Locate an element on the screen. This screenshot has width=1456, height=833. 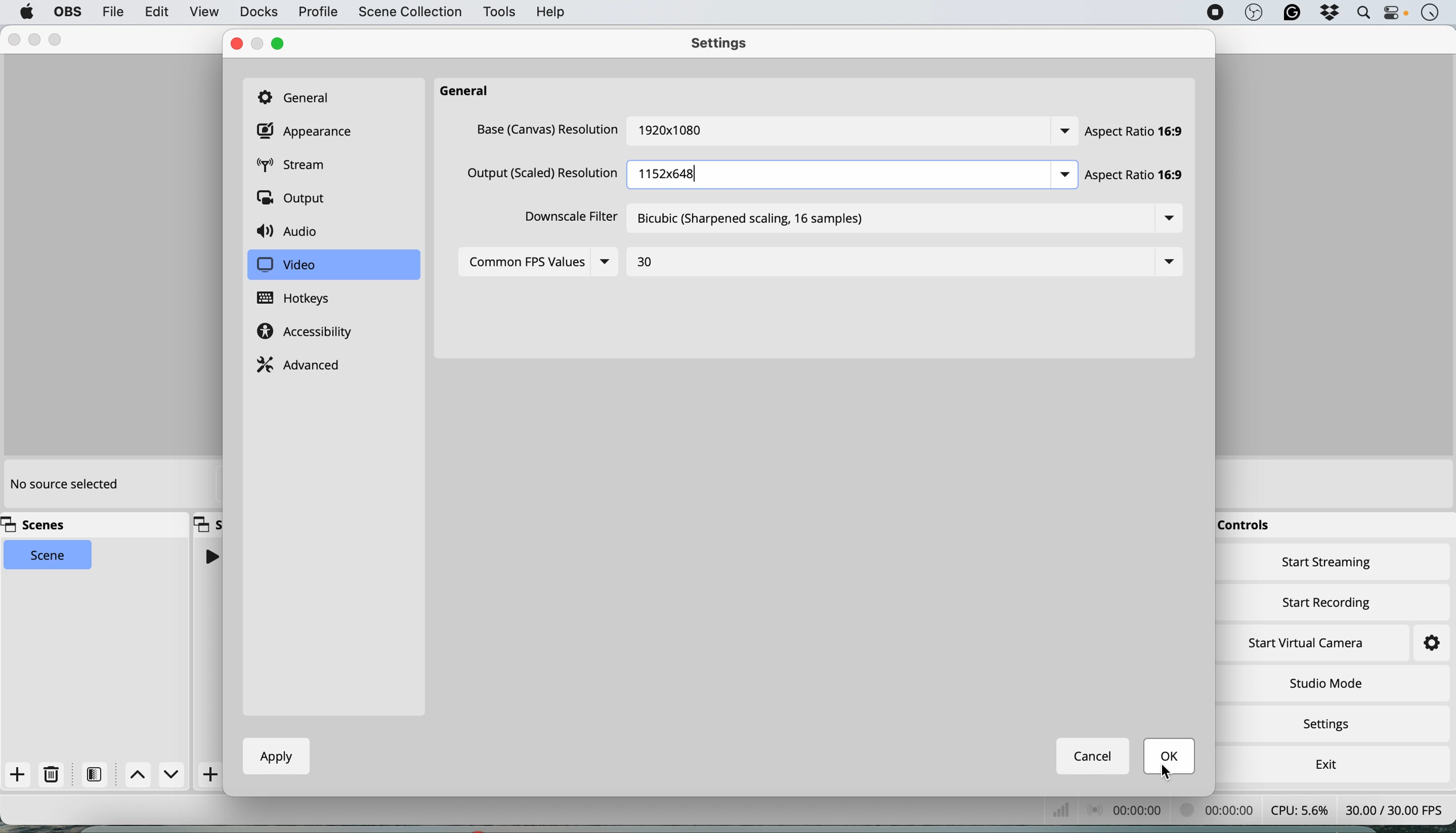
general is located at coordinates (300, 96).